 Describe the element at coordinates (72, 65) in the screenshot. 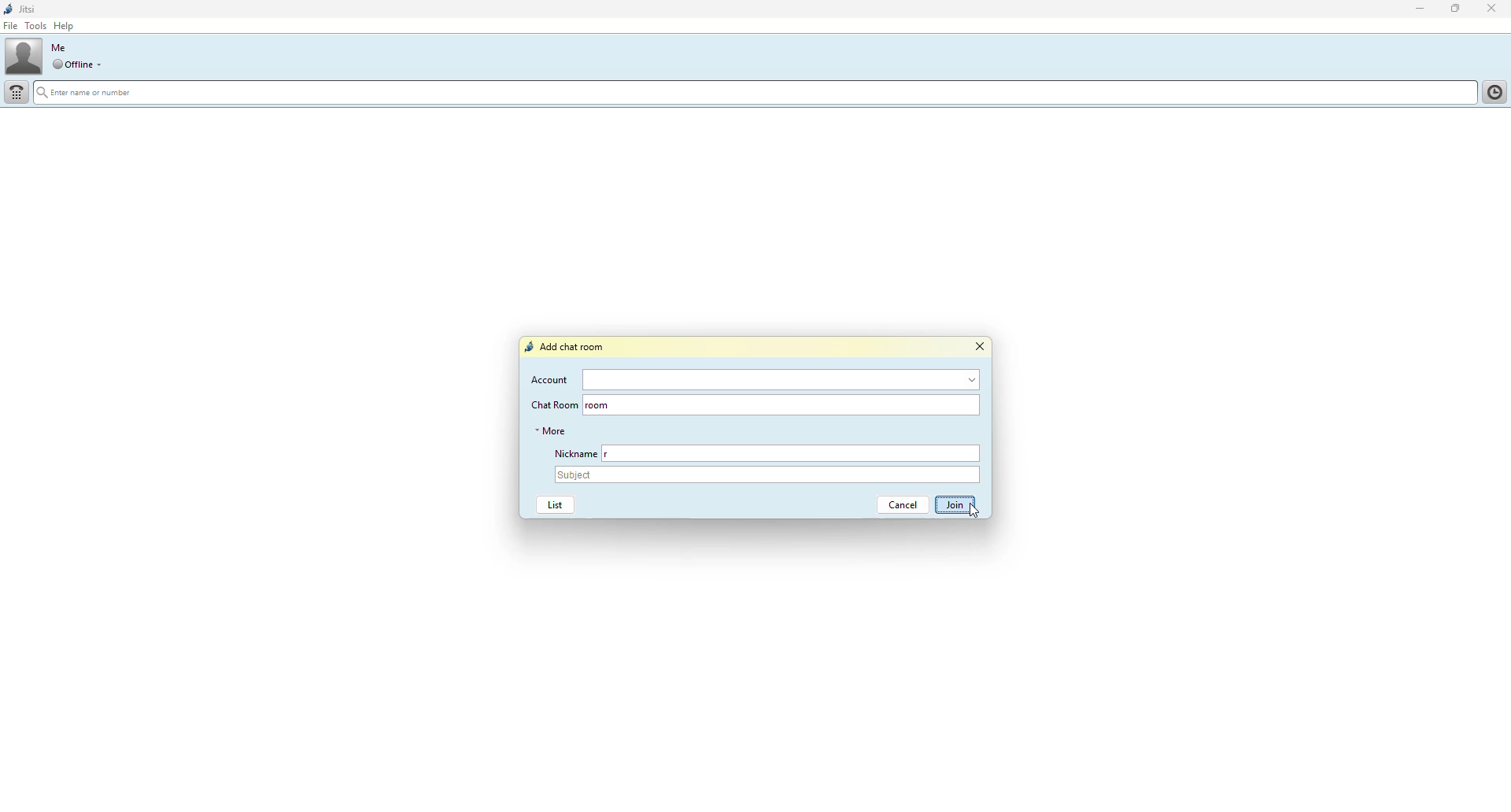

I see `offline` at that location.